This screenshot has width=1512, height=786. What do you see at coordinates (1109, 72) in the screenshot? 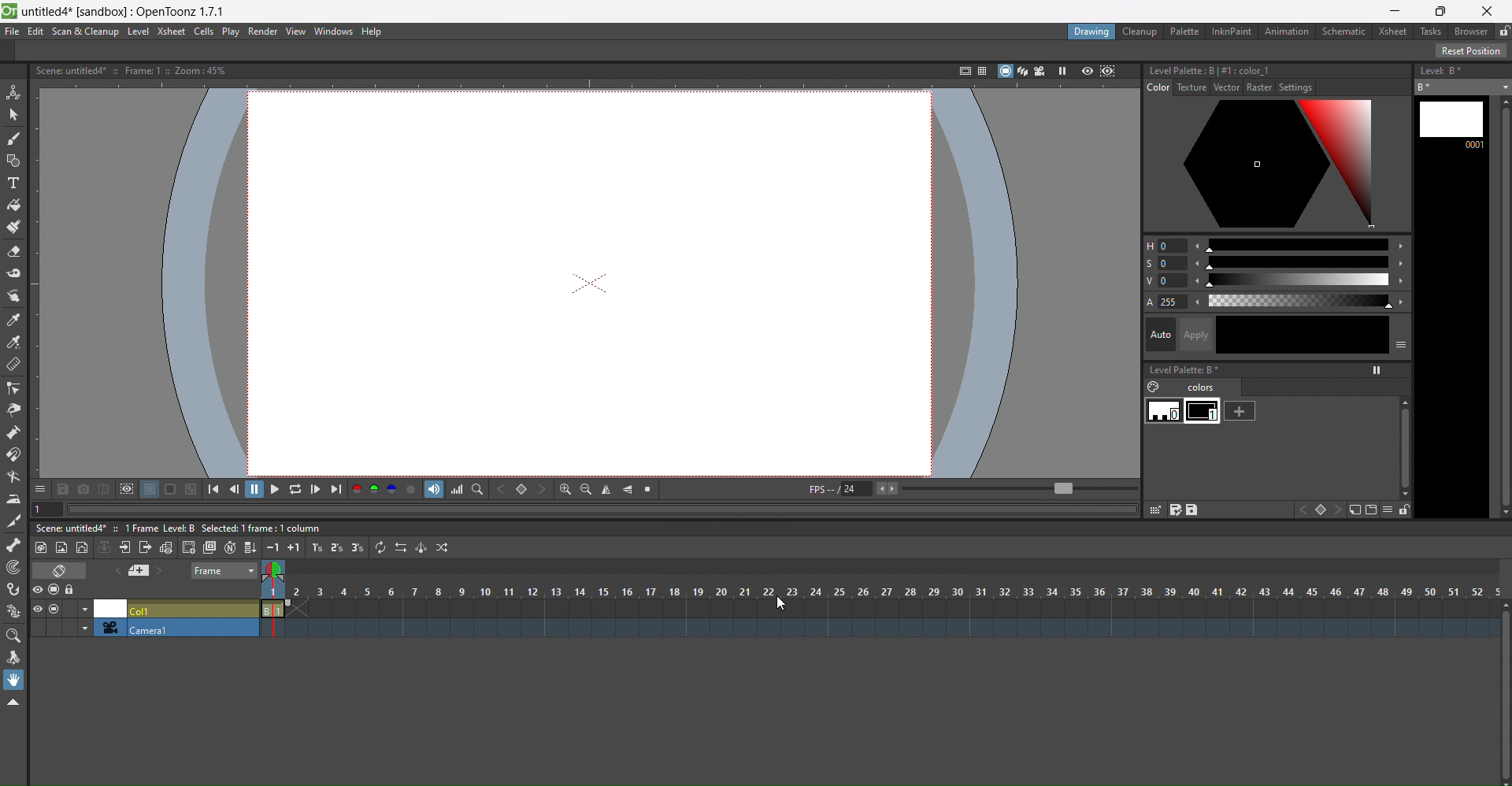
I see `sub camera preview` at bounding box center [1109, 72].